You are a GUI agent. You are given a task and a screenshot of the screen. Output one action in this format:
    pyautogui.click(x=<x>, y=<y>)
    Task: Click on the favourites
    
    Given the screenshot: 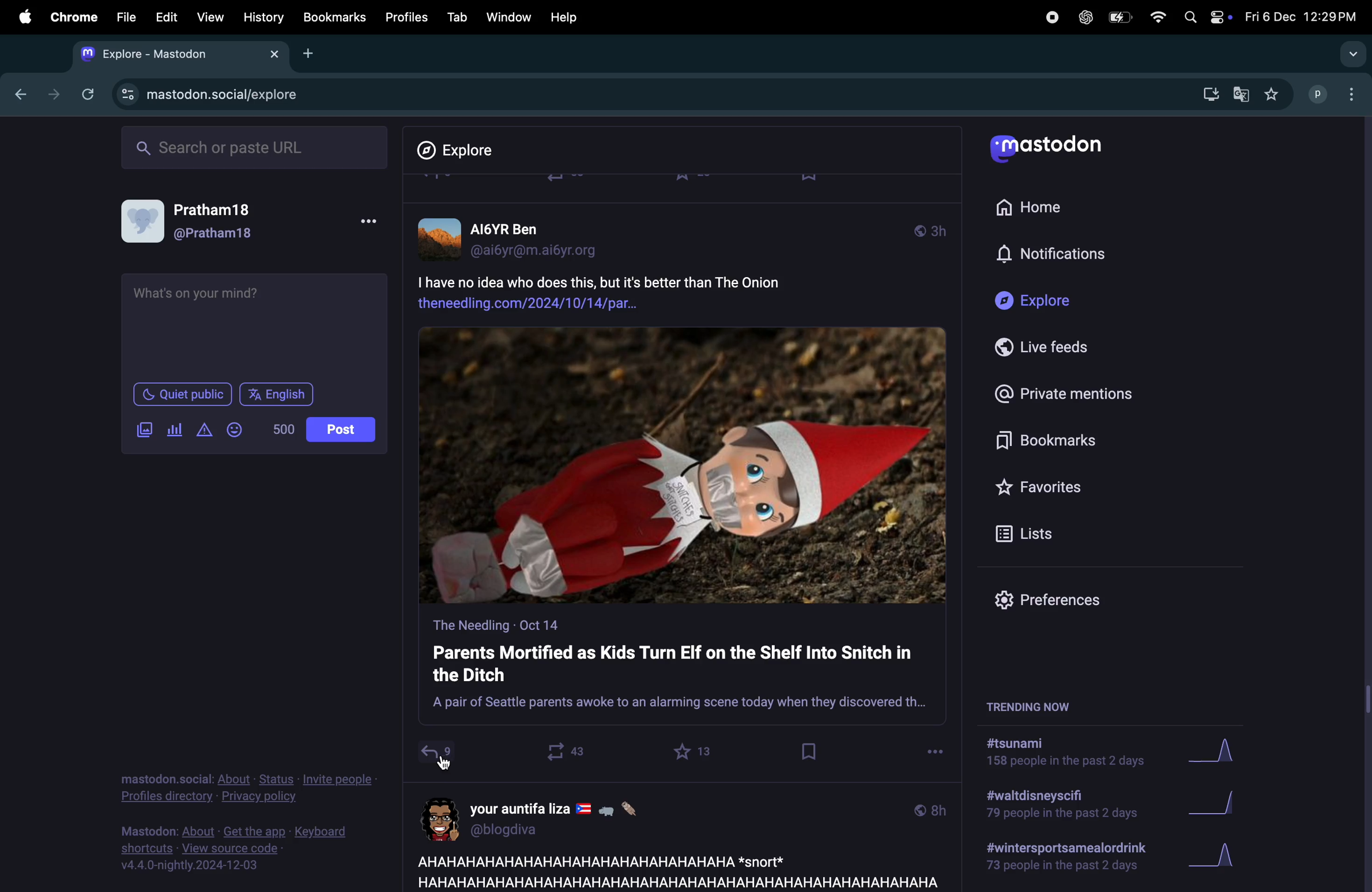 What is the action you would take?
    pyautogui.click(x=1271, y=95)
    